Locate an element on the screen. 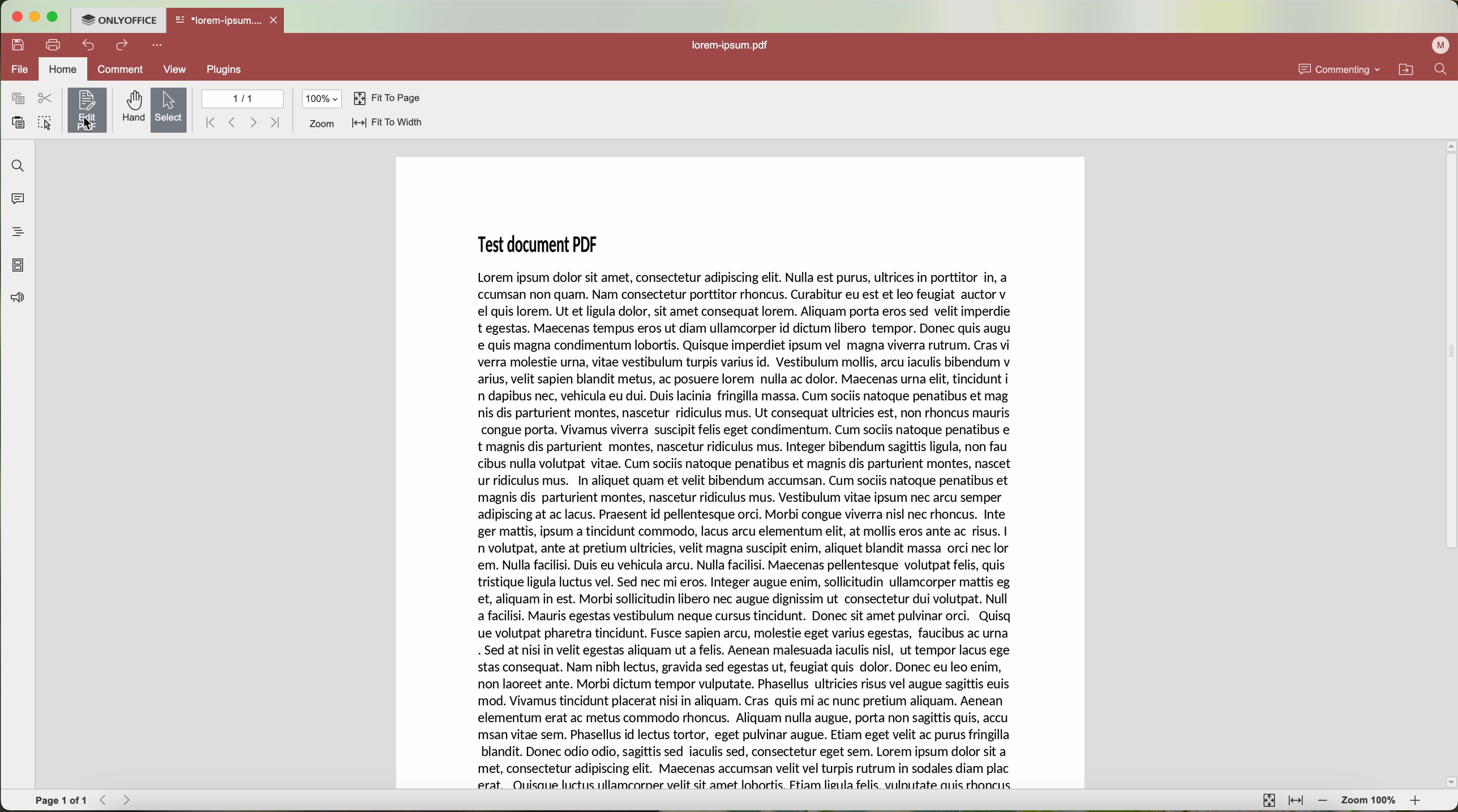 The image size is (1458, 812). PLUGINS is located at coordinates (225, 69).